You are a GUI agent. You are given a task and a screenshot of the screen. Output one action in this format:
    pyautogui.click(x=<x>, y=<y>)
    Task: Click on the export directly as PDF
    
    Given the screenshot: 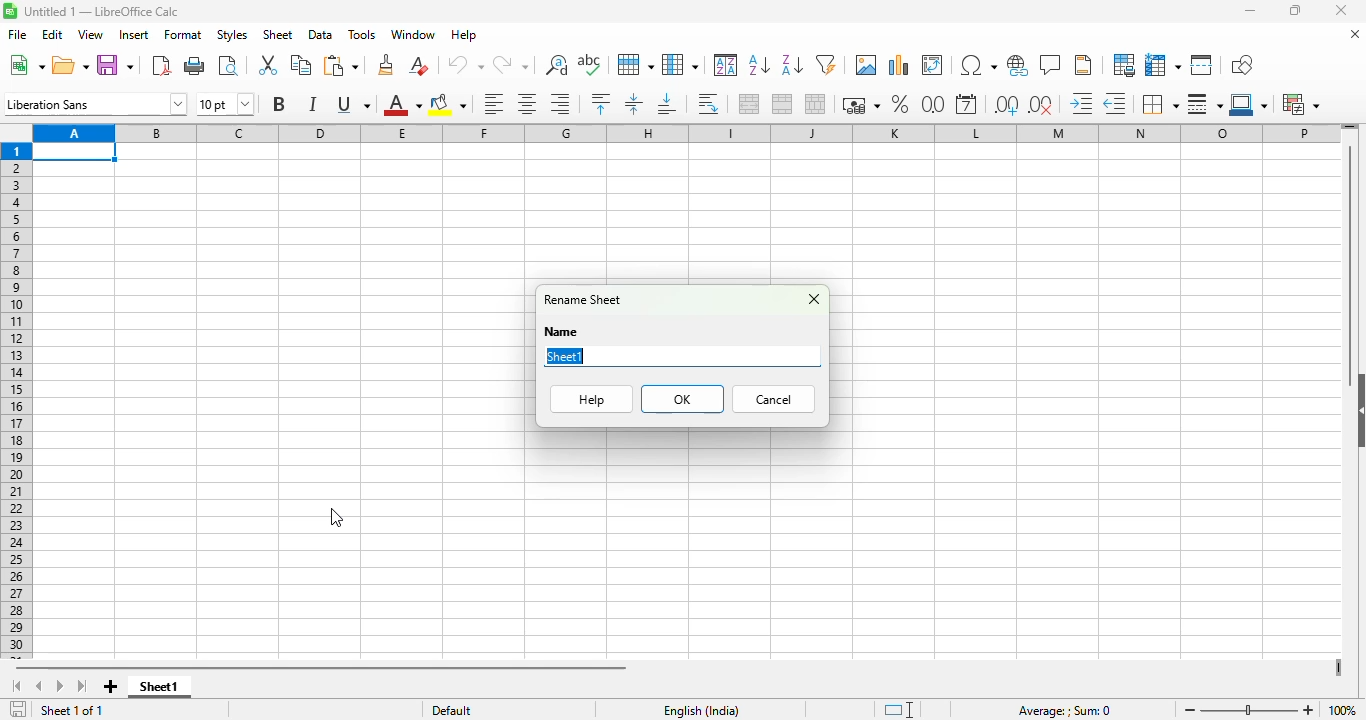 What is the action you would take?
    pyautogui.click(x=161, y=65)
    